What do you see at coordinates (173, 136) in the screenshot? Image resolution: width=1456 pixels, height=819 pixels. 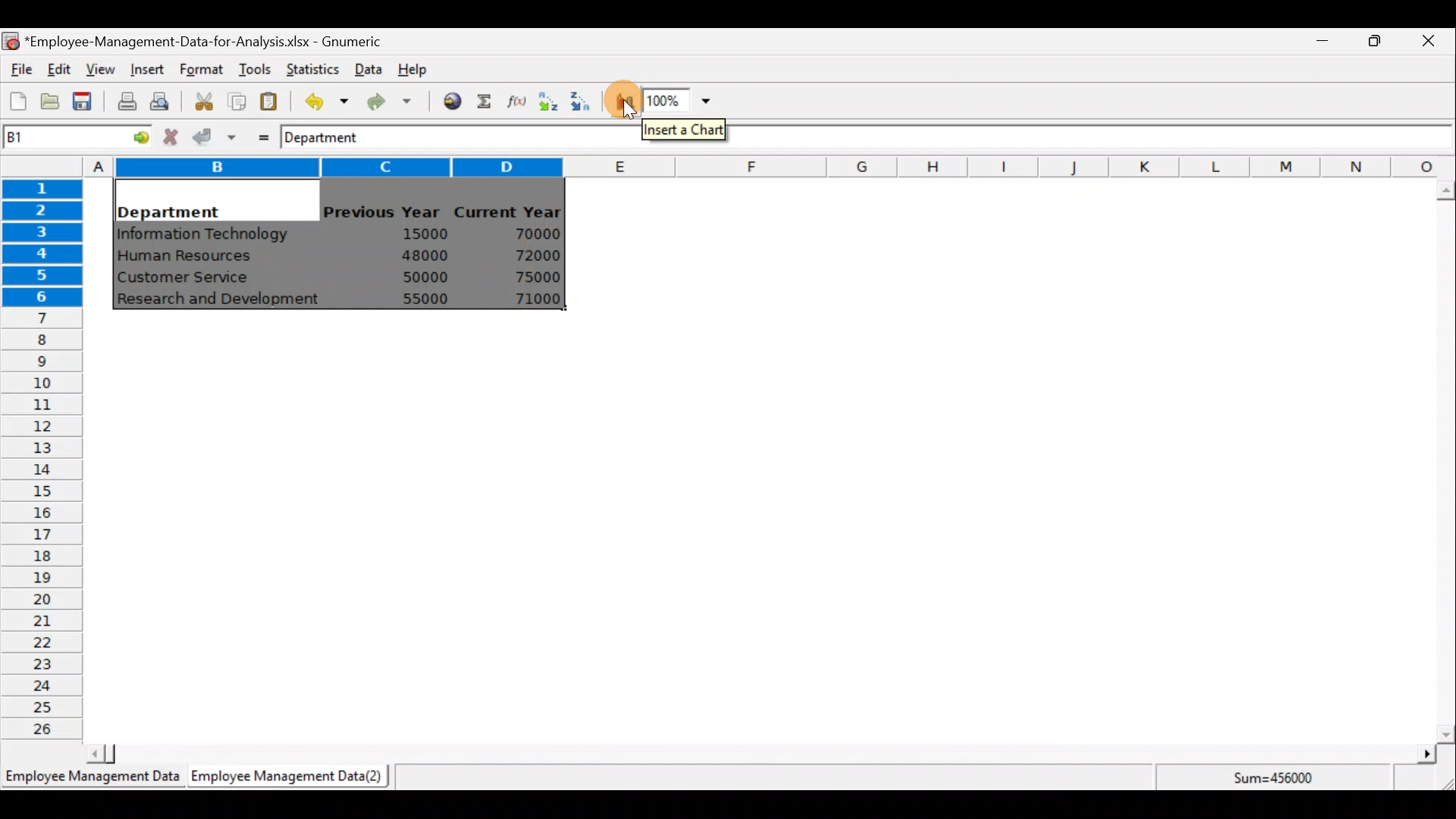 I see `Cancel change` at bounding box center [173, 136].